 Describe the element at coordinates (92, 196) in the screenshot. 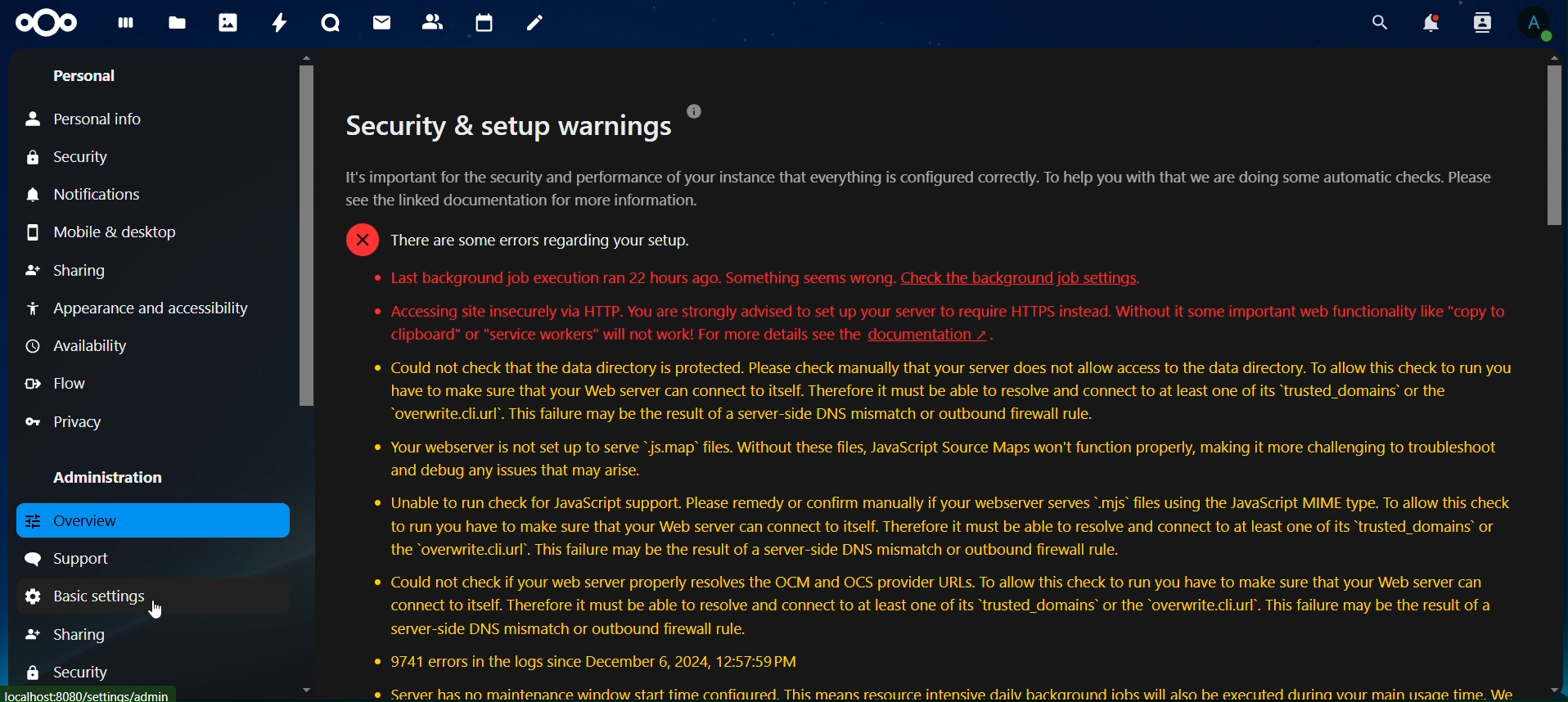

I see `notifications` at that location.